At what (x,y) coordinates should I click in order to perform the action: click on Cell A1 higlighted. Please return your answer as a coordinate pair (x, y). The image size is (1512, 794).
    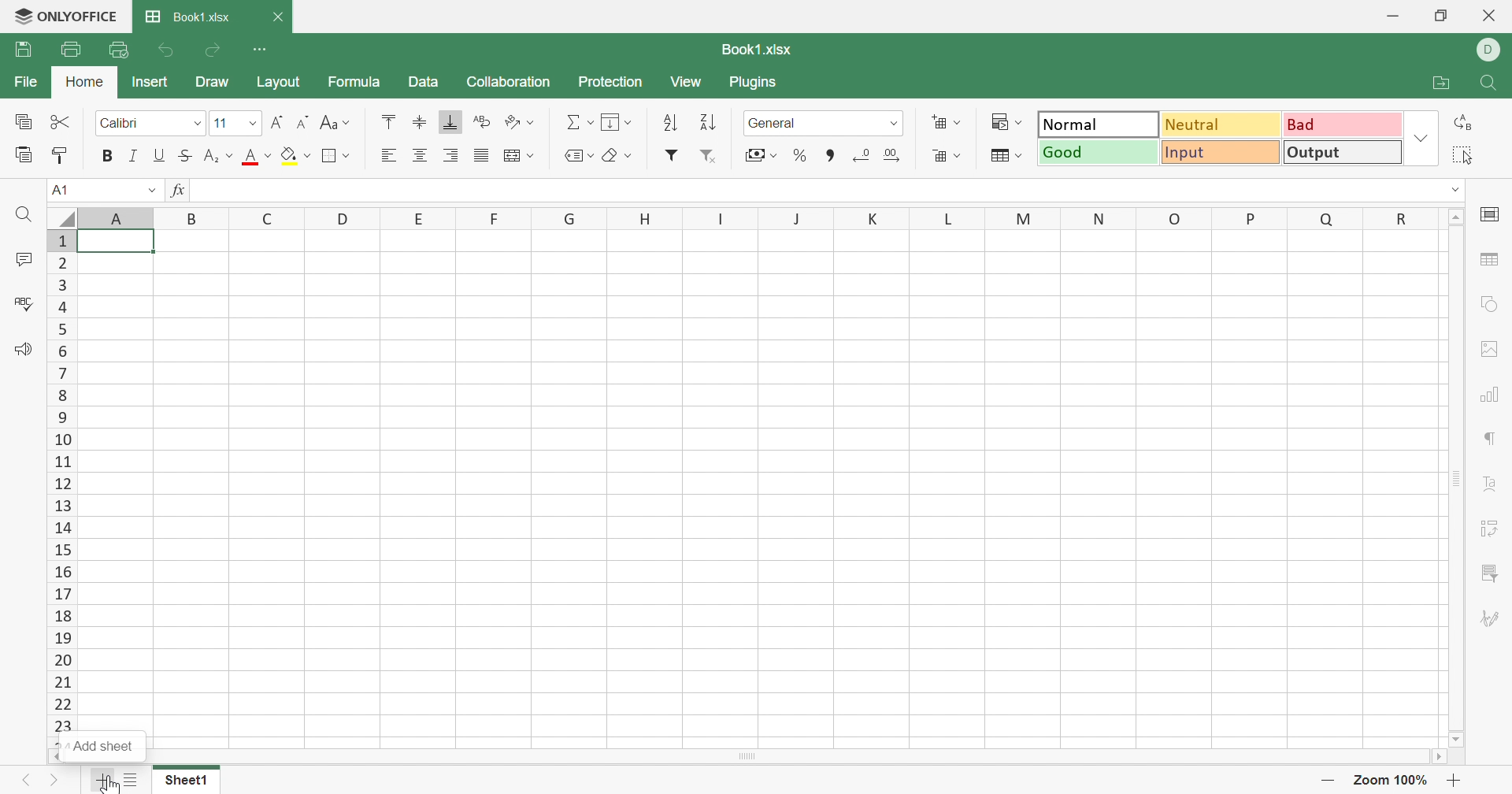
    Looking at the image, I should click on (121, 243).